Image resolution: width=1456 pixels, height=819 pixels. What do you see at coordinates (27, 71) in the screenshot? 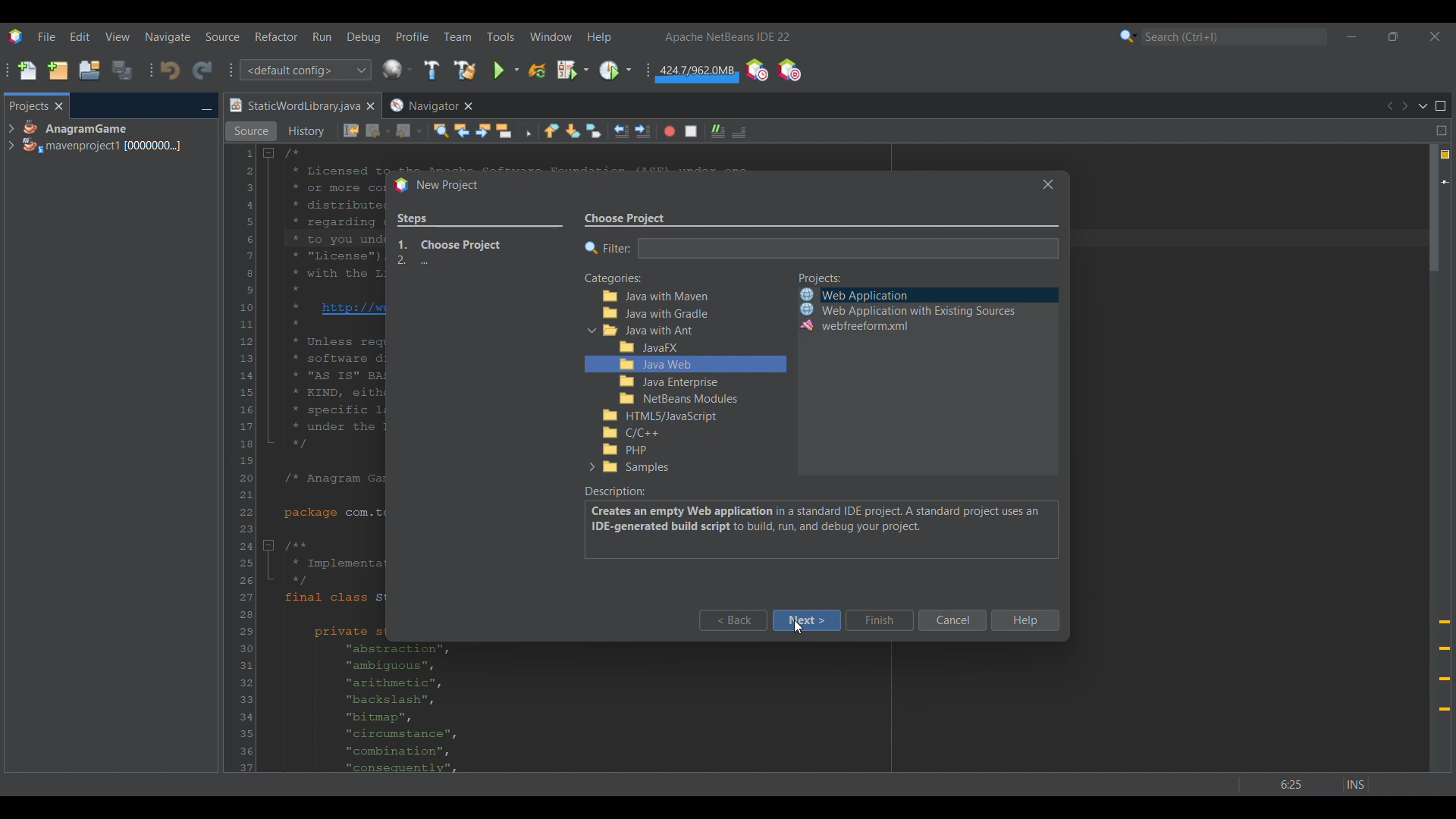
I see `New file` at bounding box center [27, 71].